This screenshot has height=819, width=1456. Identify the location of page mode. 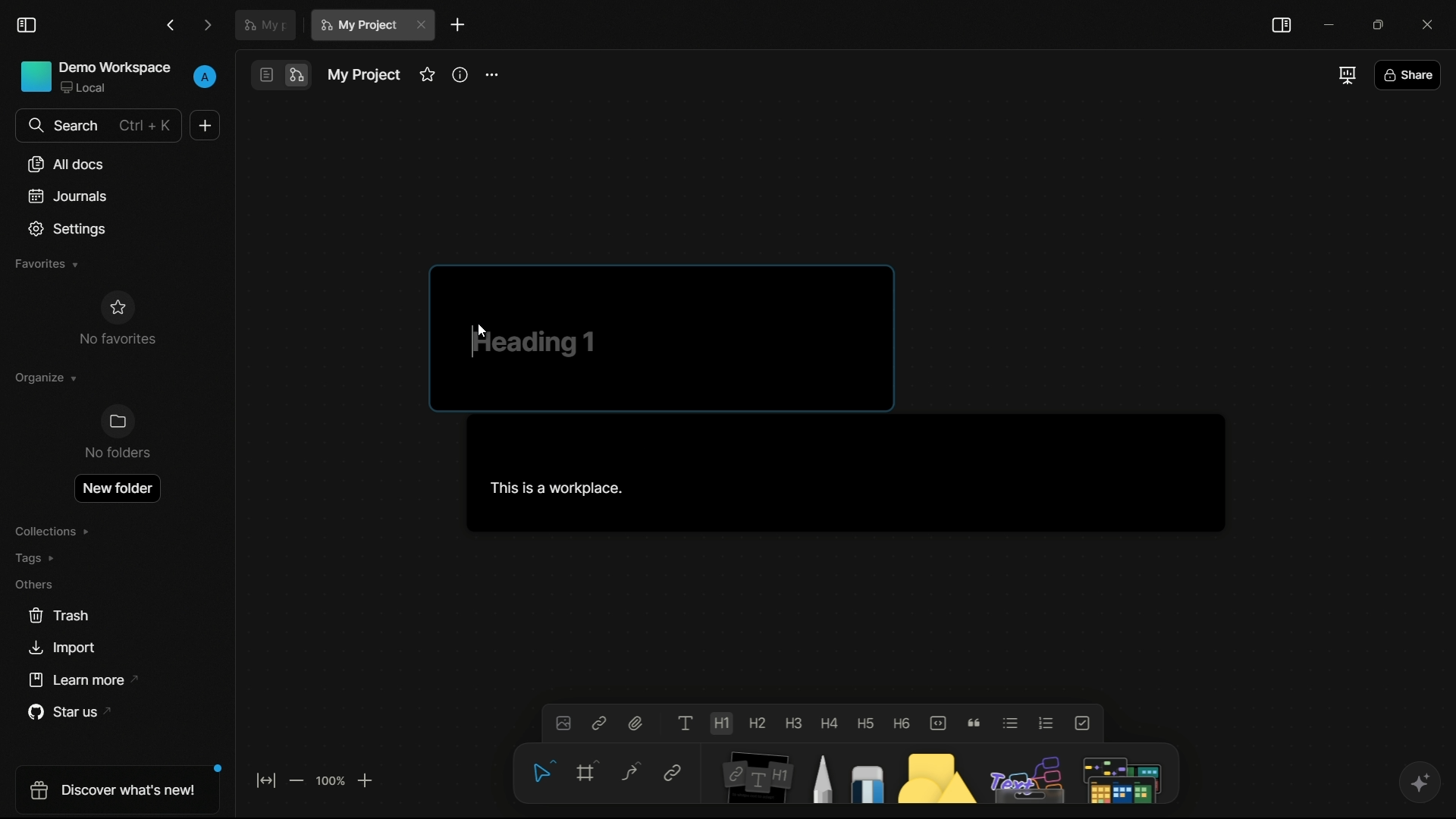
(266, 74).